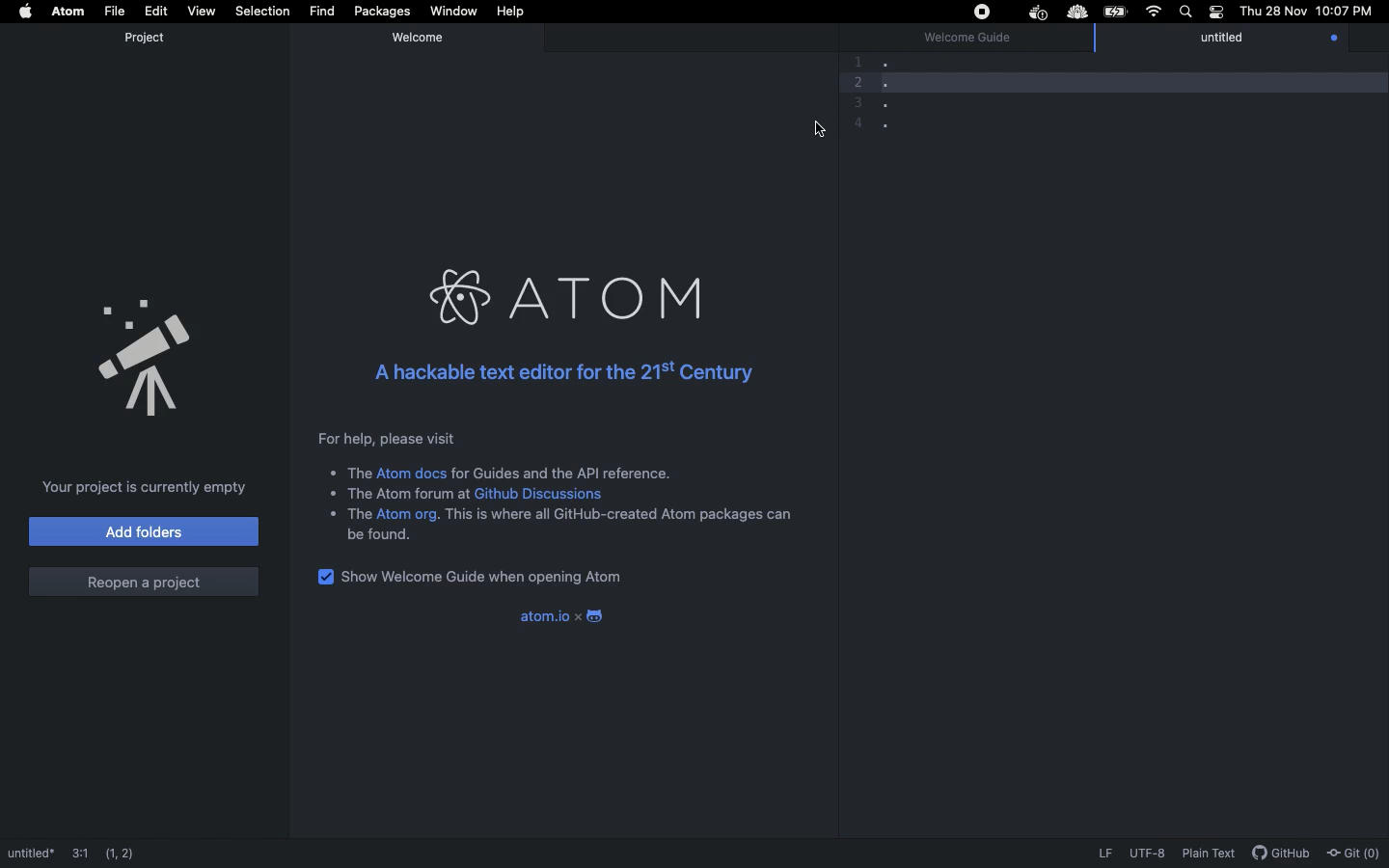 The width and height of the screenshot is (1389, 868). Describe the element at coordinates (563, 472) in the screenshot. I see `Text` at that location.